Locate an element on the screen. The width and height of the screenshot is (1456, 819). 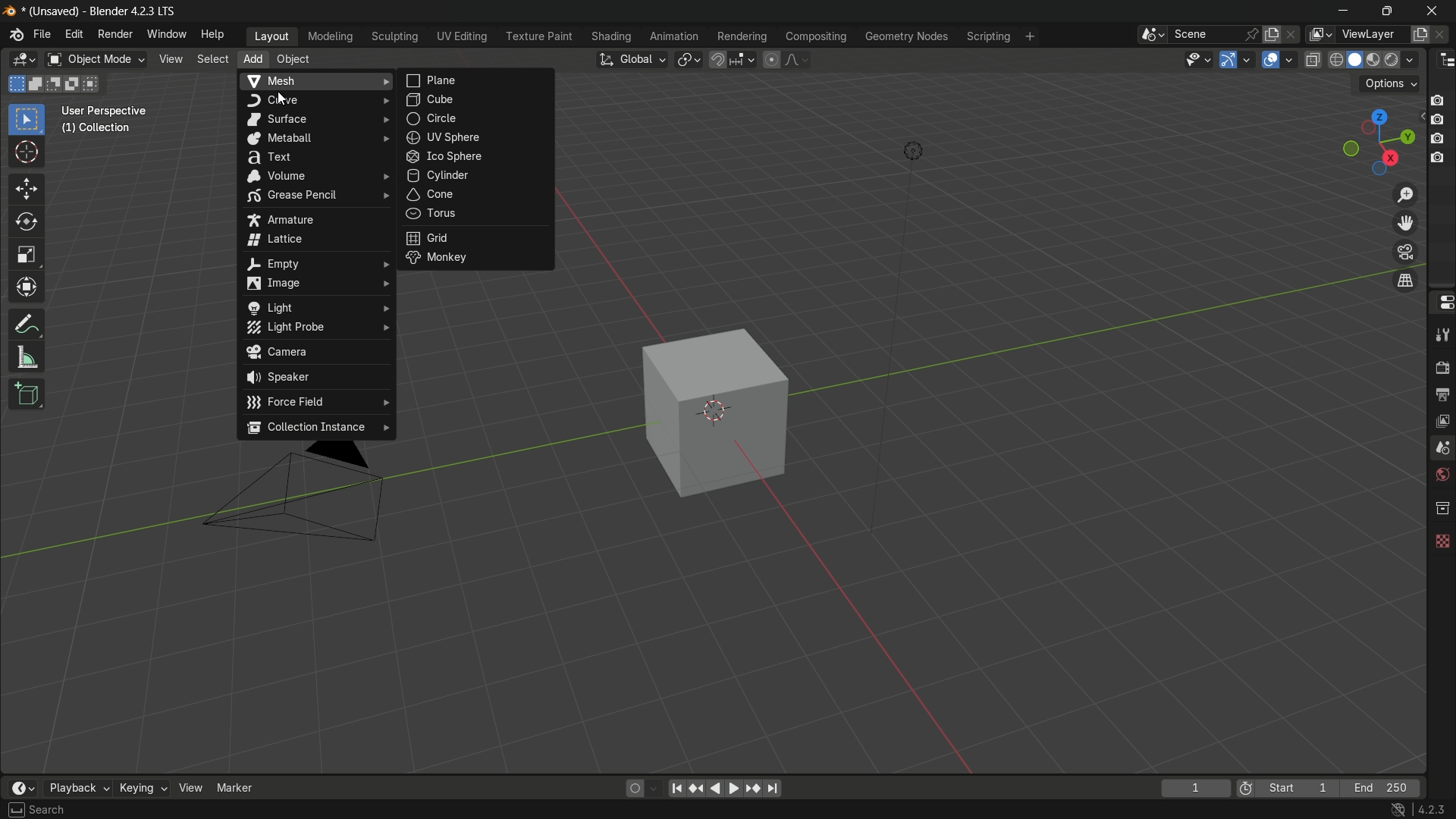
sculpting menu is located at coordinates (395, 37).